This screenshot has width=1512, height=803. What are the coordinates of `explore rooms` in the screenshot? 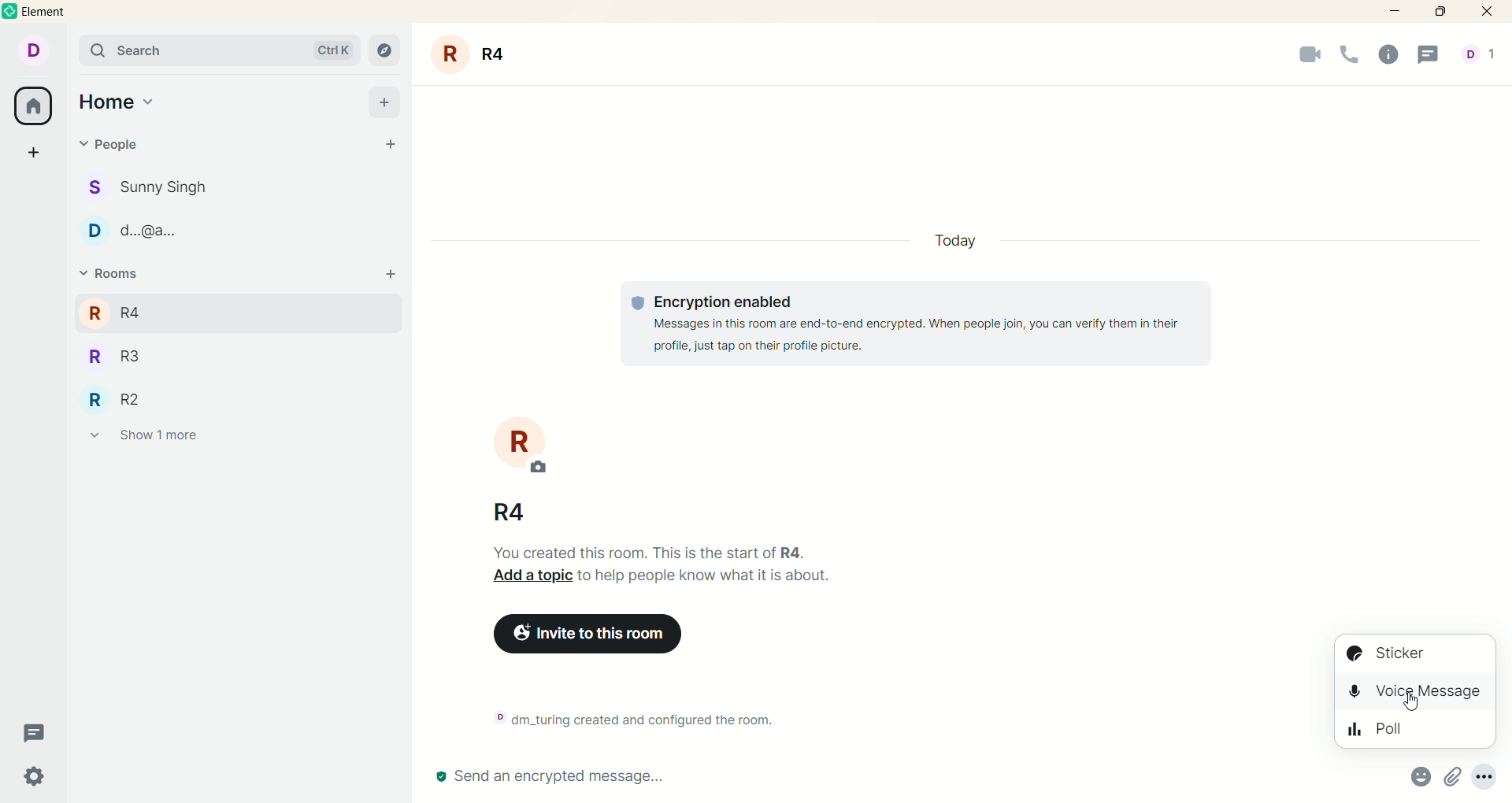 It's located at (386, 50).